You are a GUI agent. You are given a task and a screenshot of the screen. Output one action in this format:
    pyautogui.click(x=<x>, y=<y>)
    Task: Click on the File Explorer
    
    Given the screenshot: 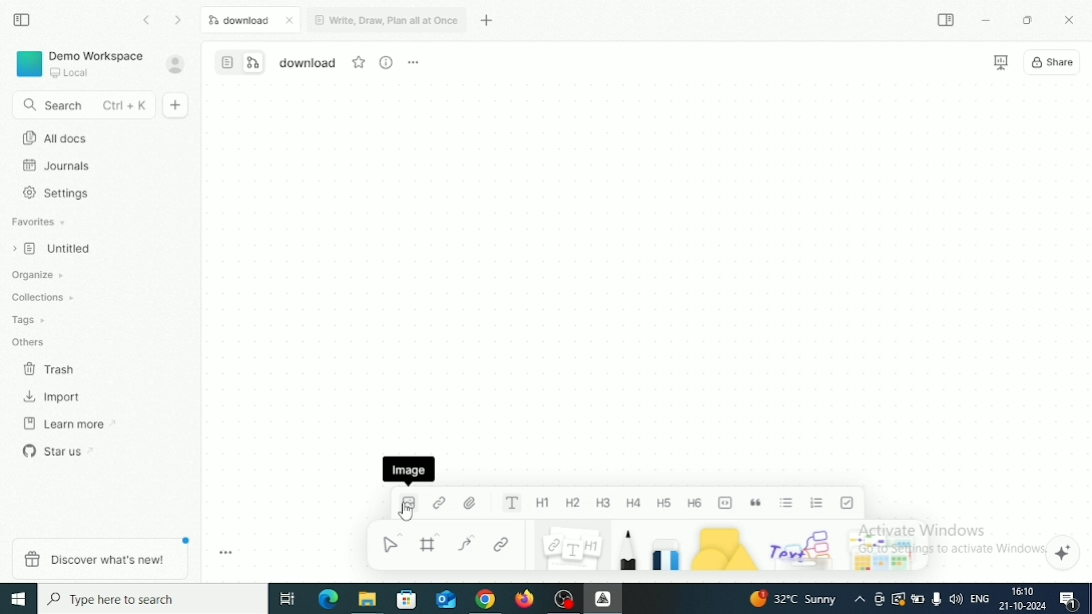 What is the action you would take?
    pyautogui.click(x=366, y=600)
    